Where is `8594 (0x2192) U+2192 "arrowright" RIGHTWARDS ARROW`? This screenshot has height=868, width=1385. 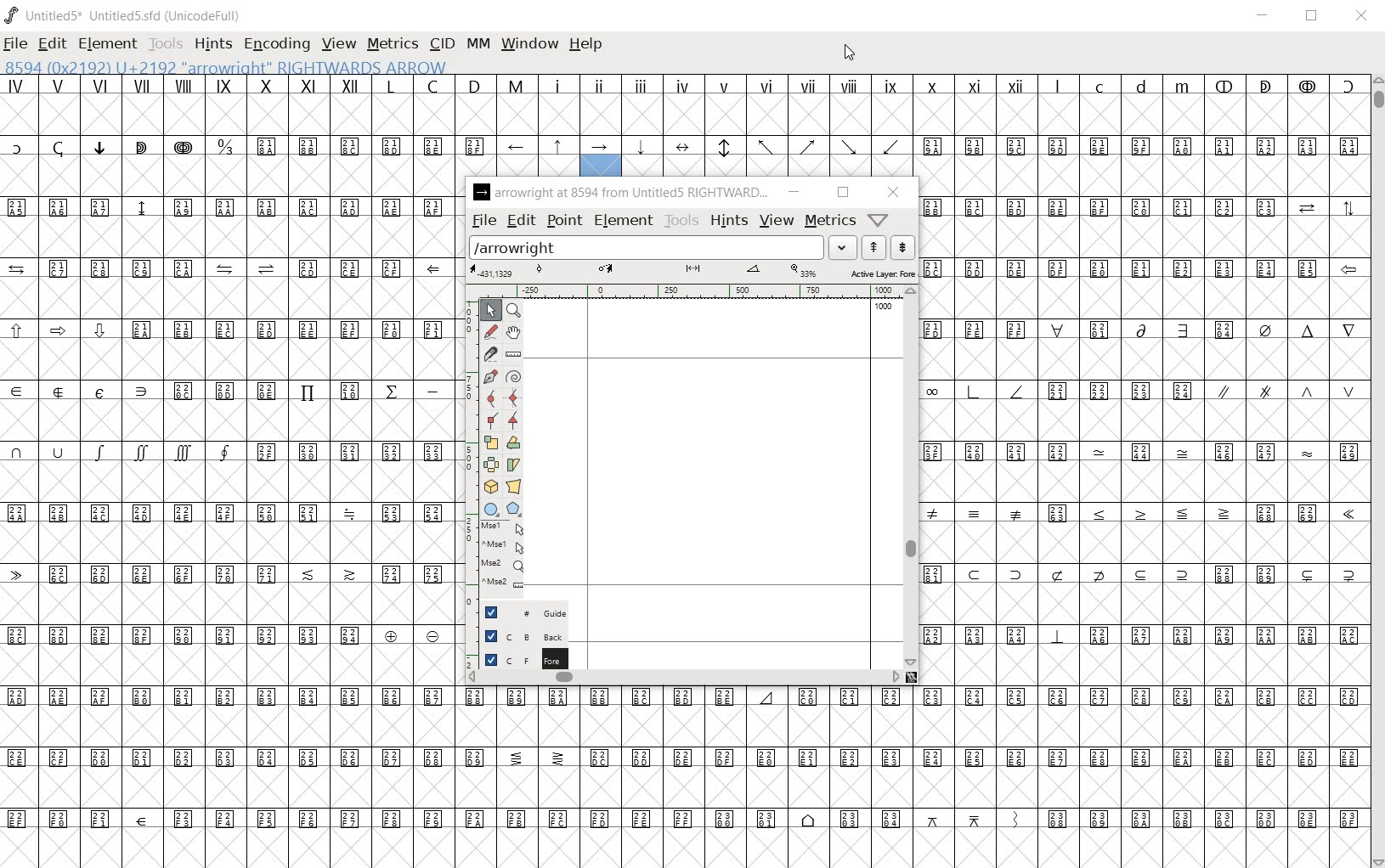 8594 (0x2192) U+2192 "arrowright" RIGHTWARDS ARROW is located at coordinates (226, 65).